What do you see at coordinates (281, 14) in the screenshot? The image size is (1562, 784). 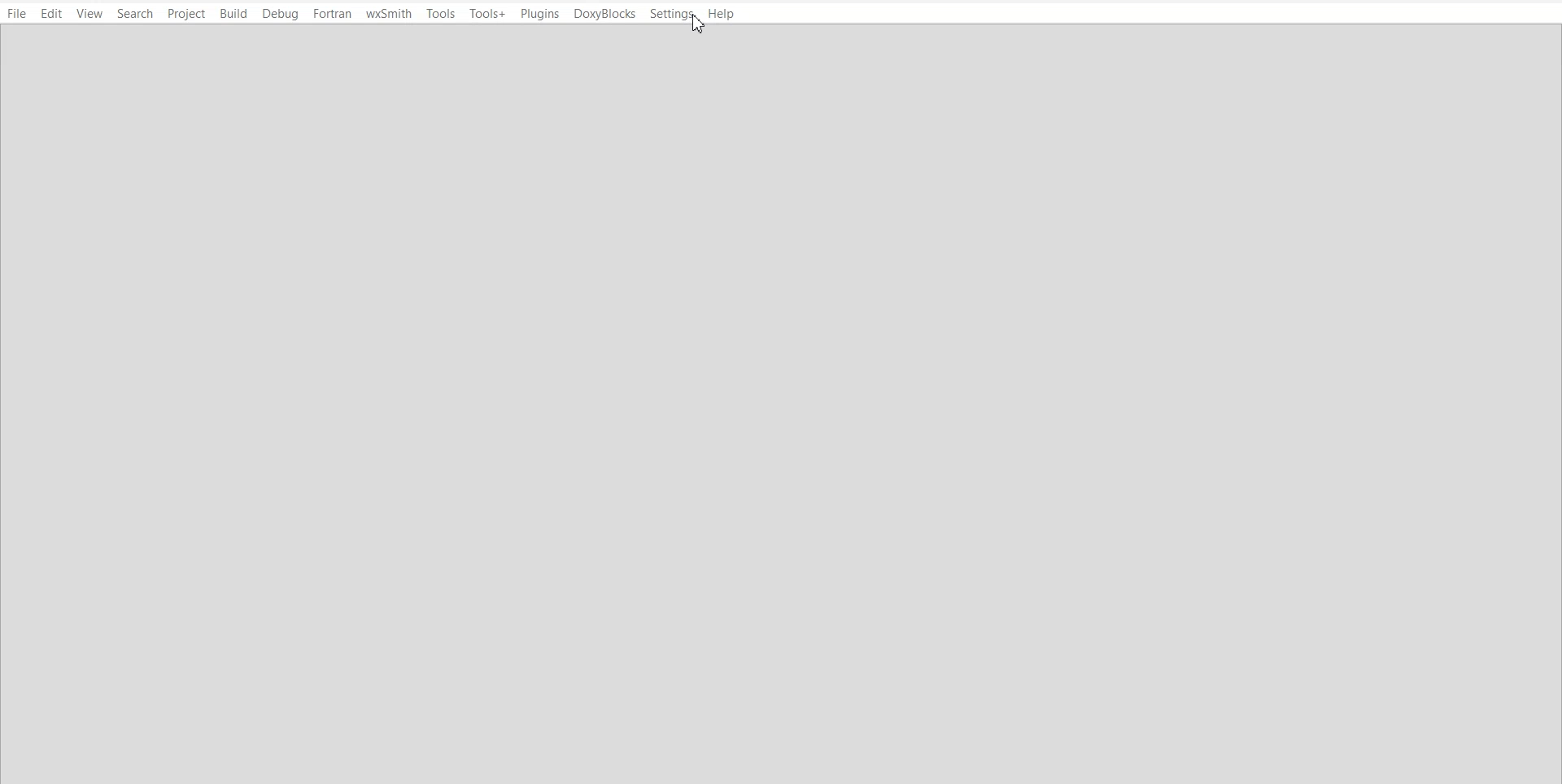 I see `Debug` at bounding box center [281, 14].